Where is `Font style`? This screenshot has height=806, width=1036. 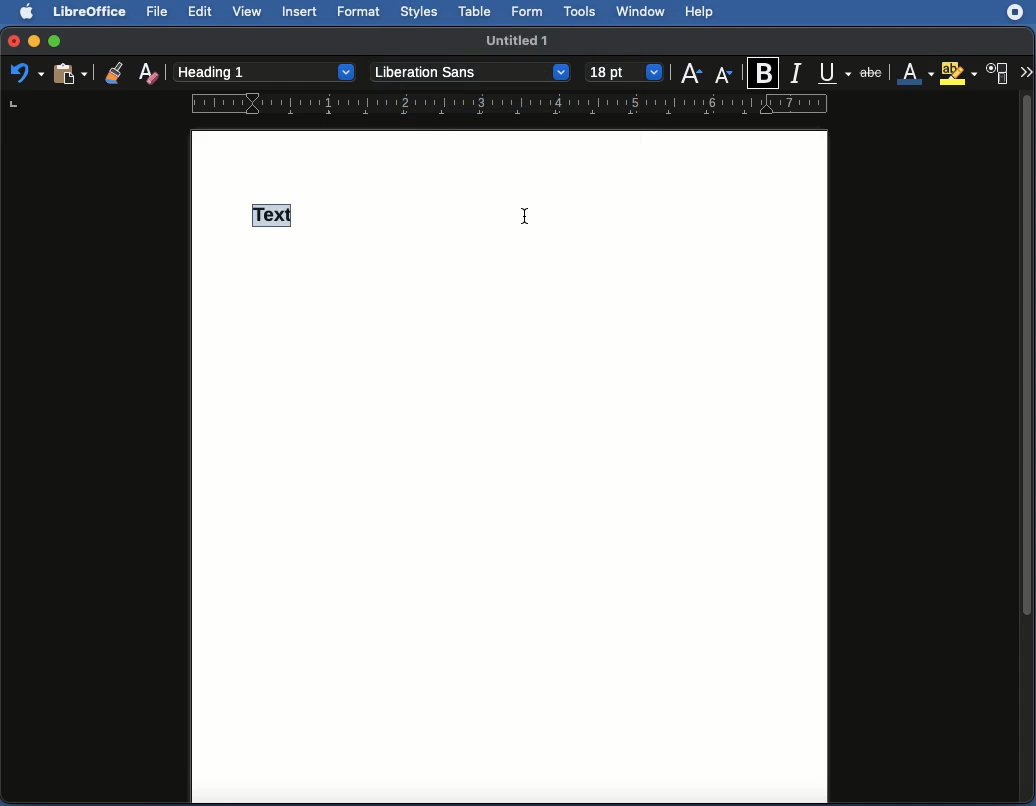 Font style is located at coordinates (467, 71).